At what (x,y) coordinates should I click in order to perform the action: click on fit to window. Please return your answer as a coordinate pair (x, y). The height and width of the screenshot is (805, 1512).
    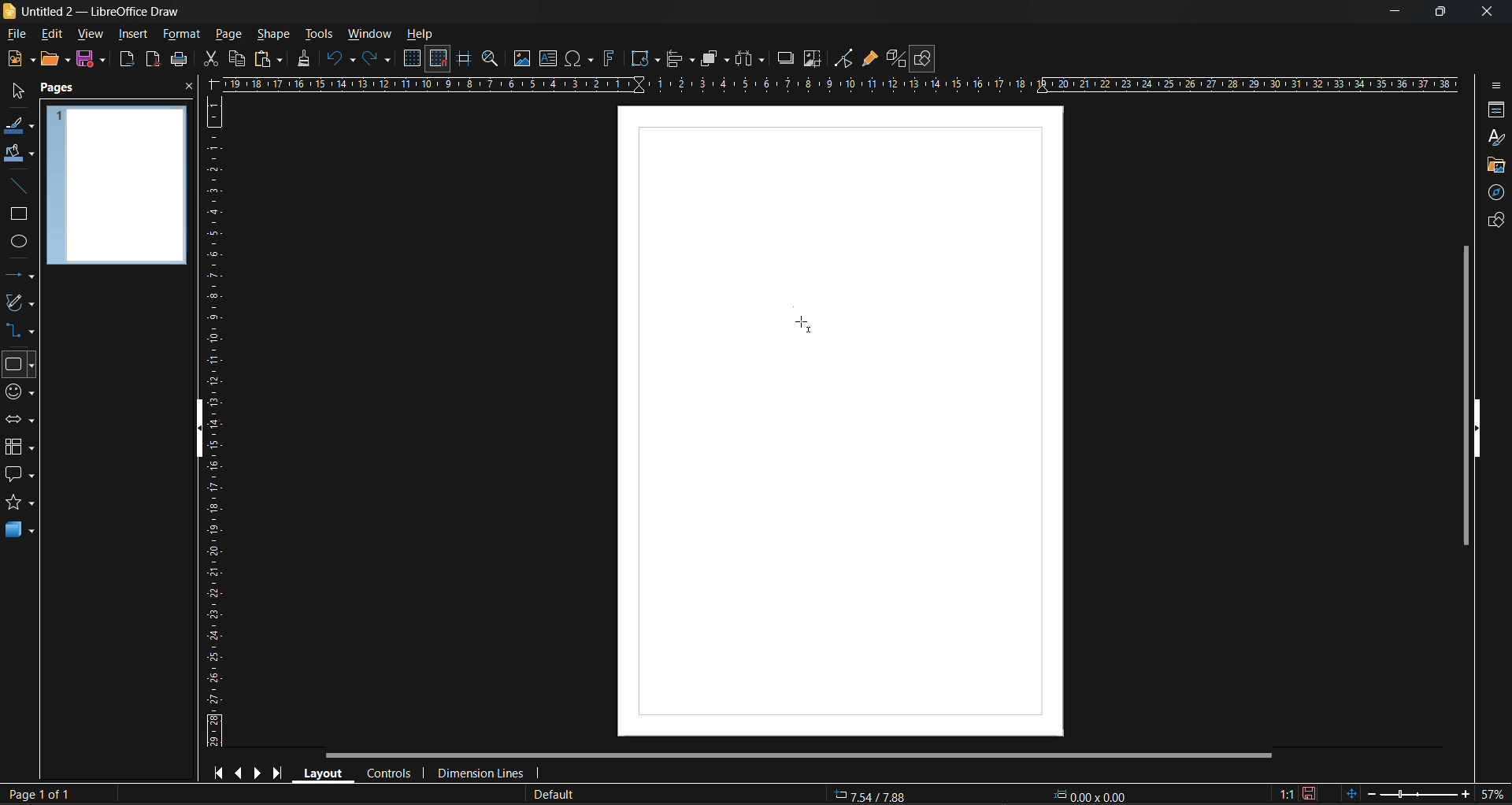
    Looking at the image, I should click on (1351, 793).